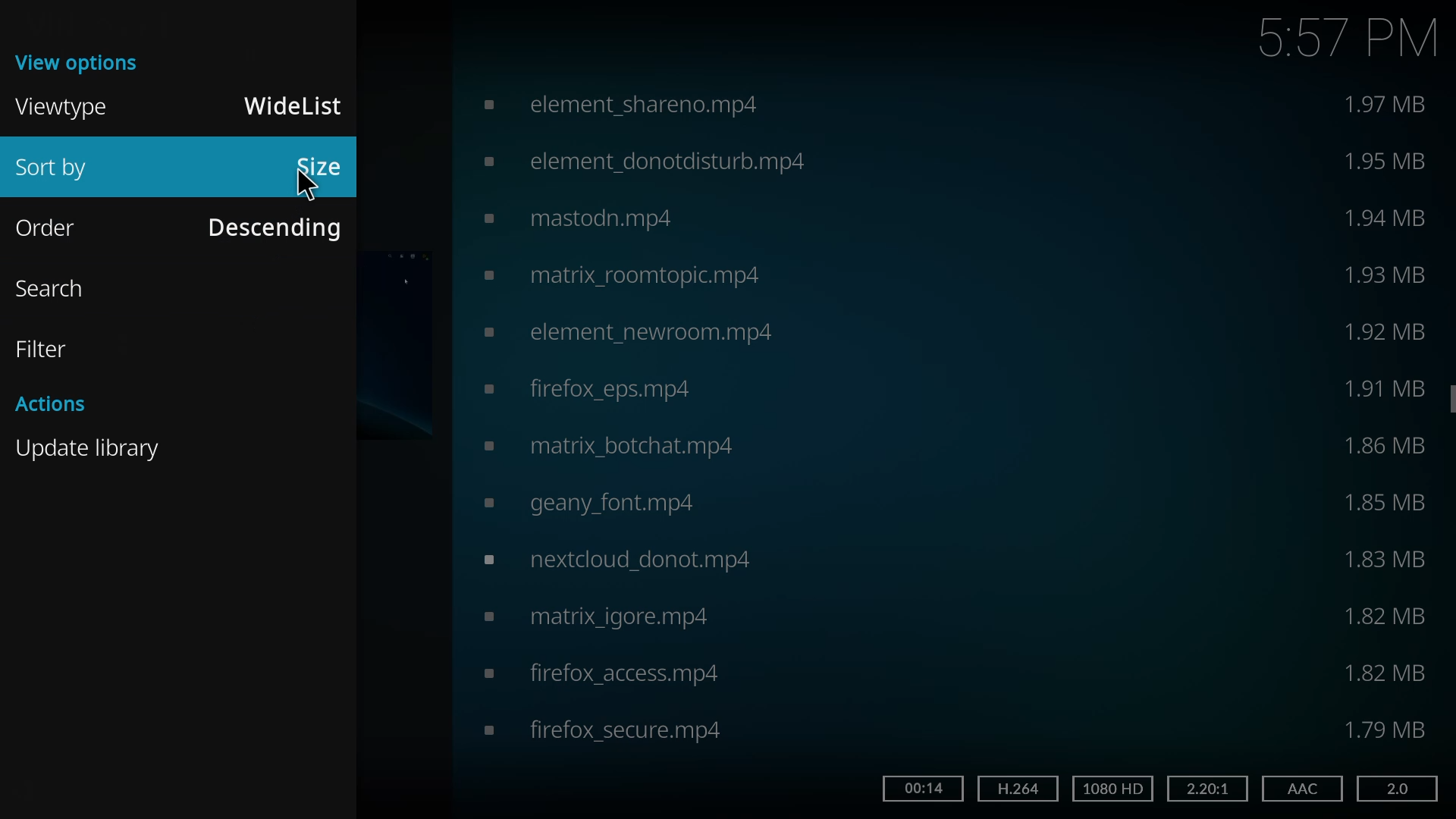  I want to click on video, so click(615, 444).